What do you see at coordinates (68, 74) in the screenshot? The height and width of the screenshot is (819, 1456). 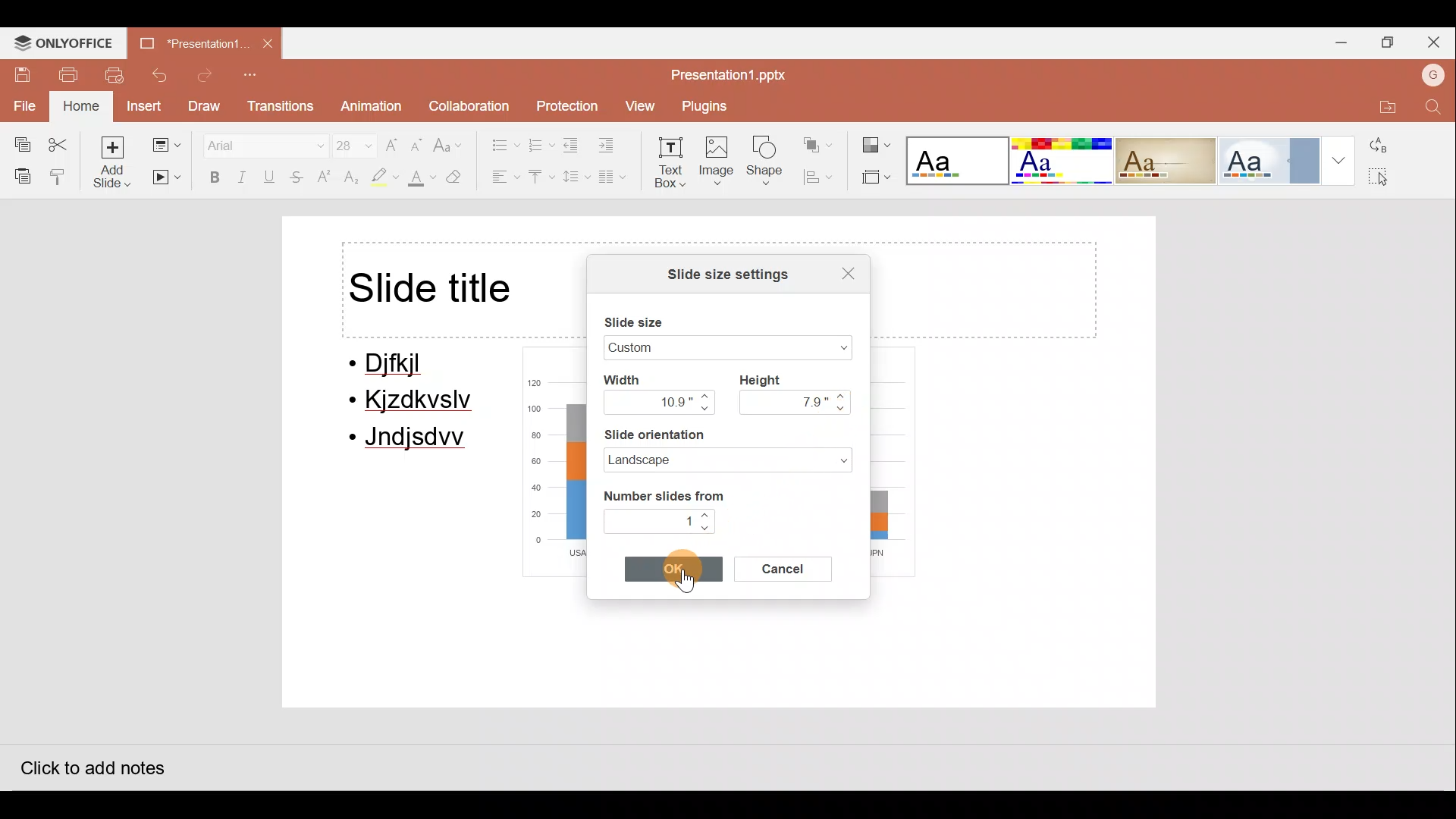 I see `Print file` at bounding box center [68, 74].